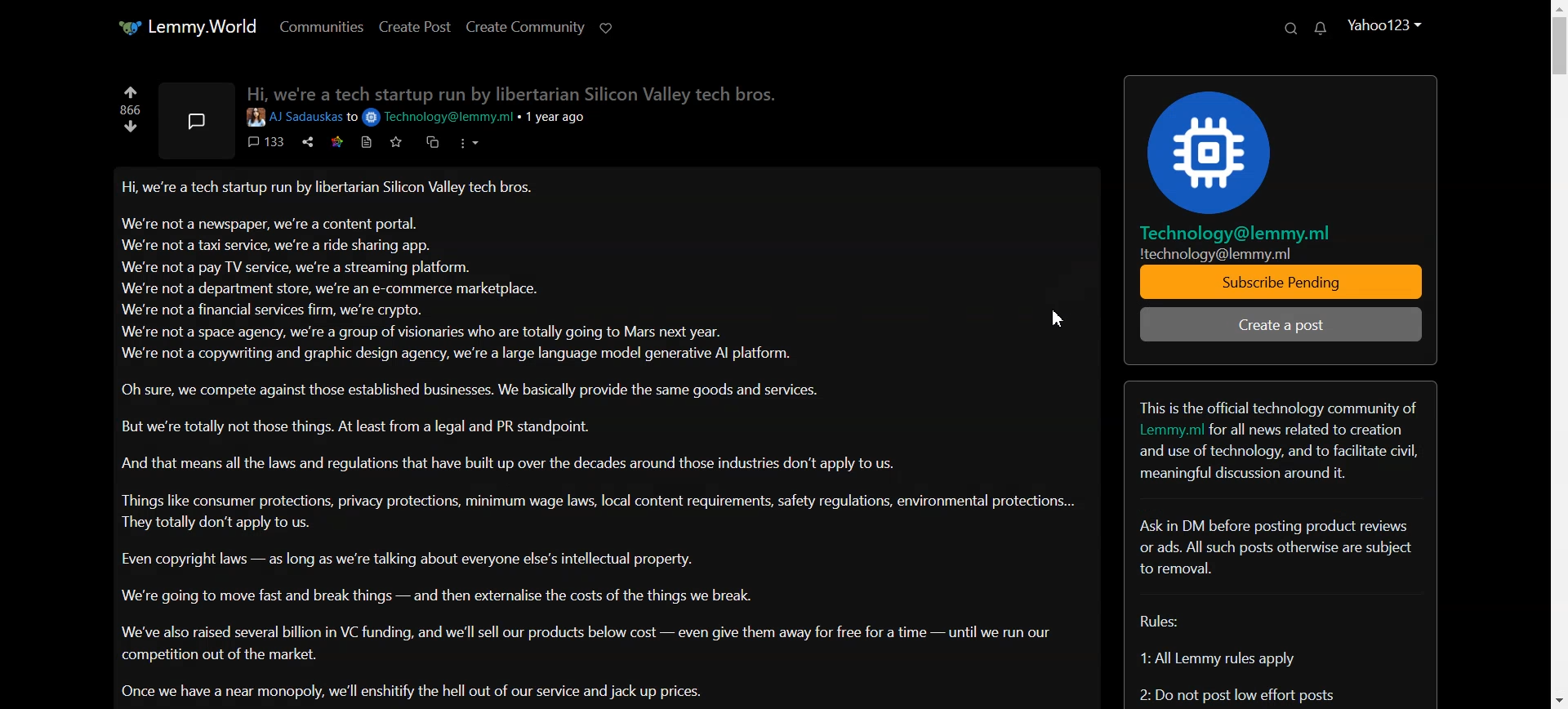  Describe the element at coordinates (196, 120) in the screenshot. I see `thumbnail` at that location.